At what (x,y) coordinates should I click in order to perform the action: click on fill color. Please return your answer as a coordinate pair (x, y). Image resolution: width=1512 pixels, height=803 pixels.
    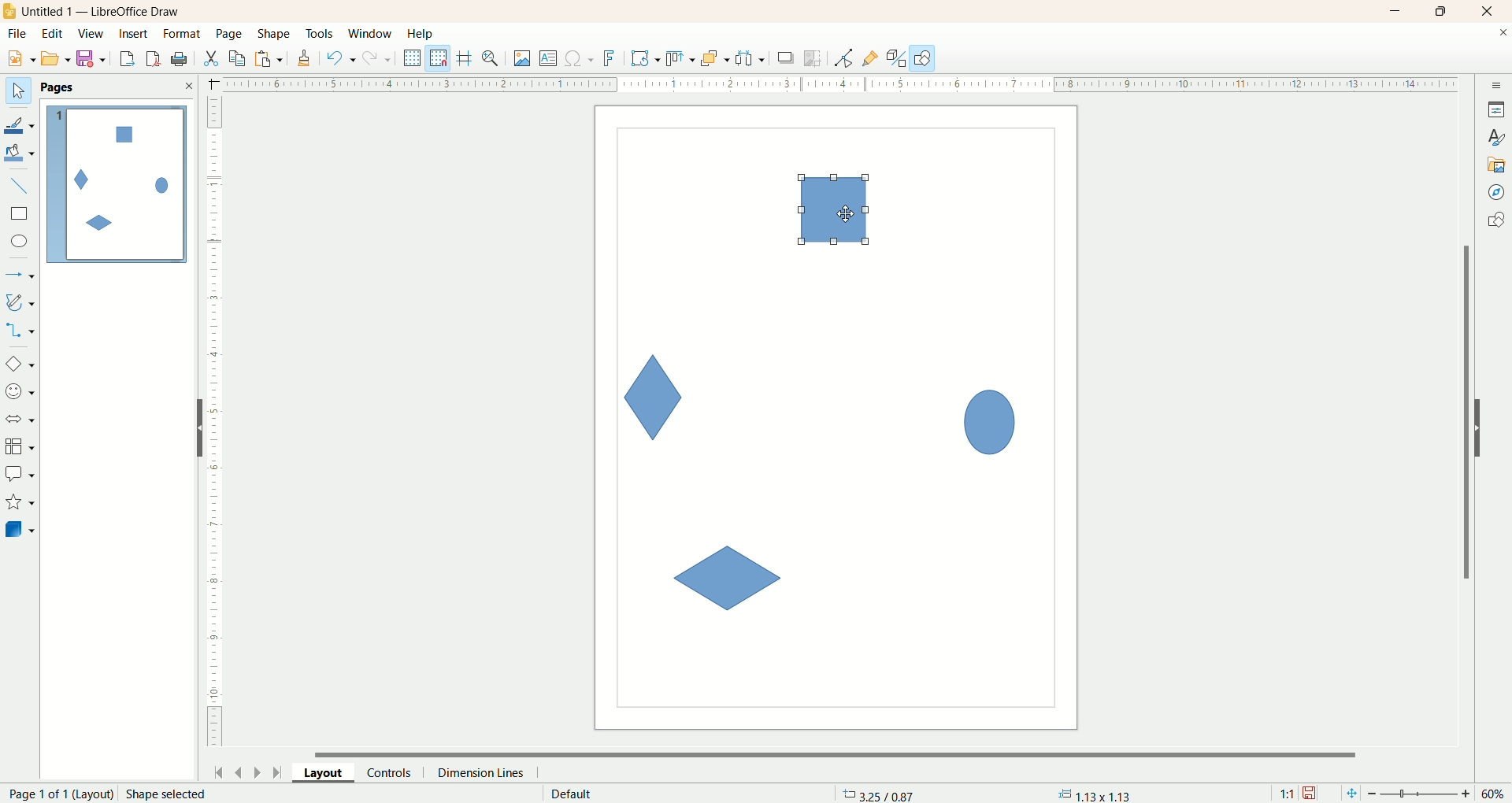
    Looking at the image, I should click on (21, 154).